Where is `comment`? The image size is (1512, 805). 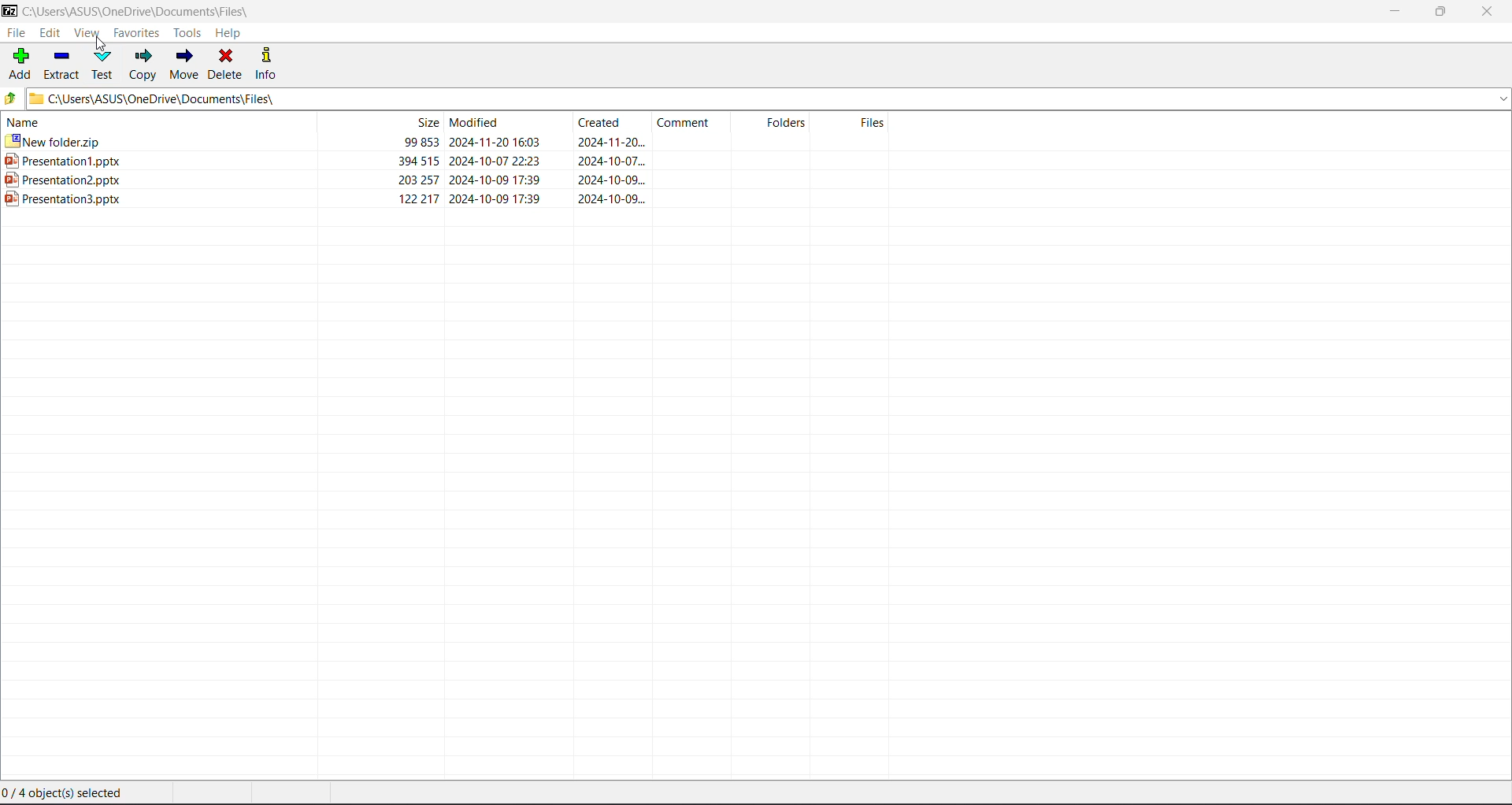 comment is located at coordinates (687, 121).